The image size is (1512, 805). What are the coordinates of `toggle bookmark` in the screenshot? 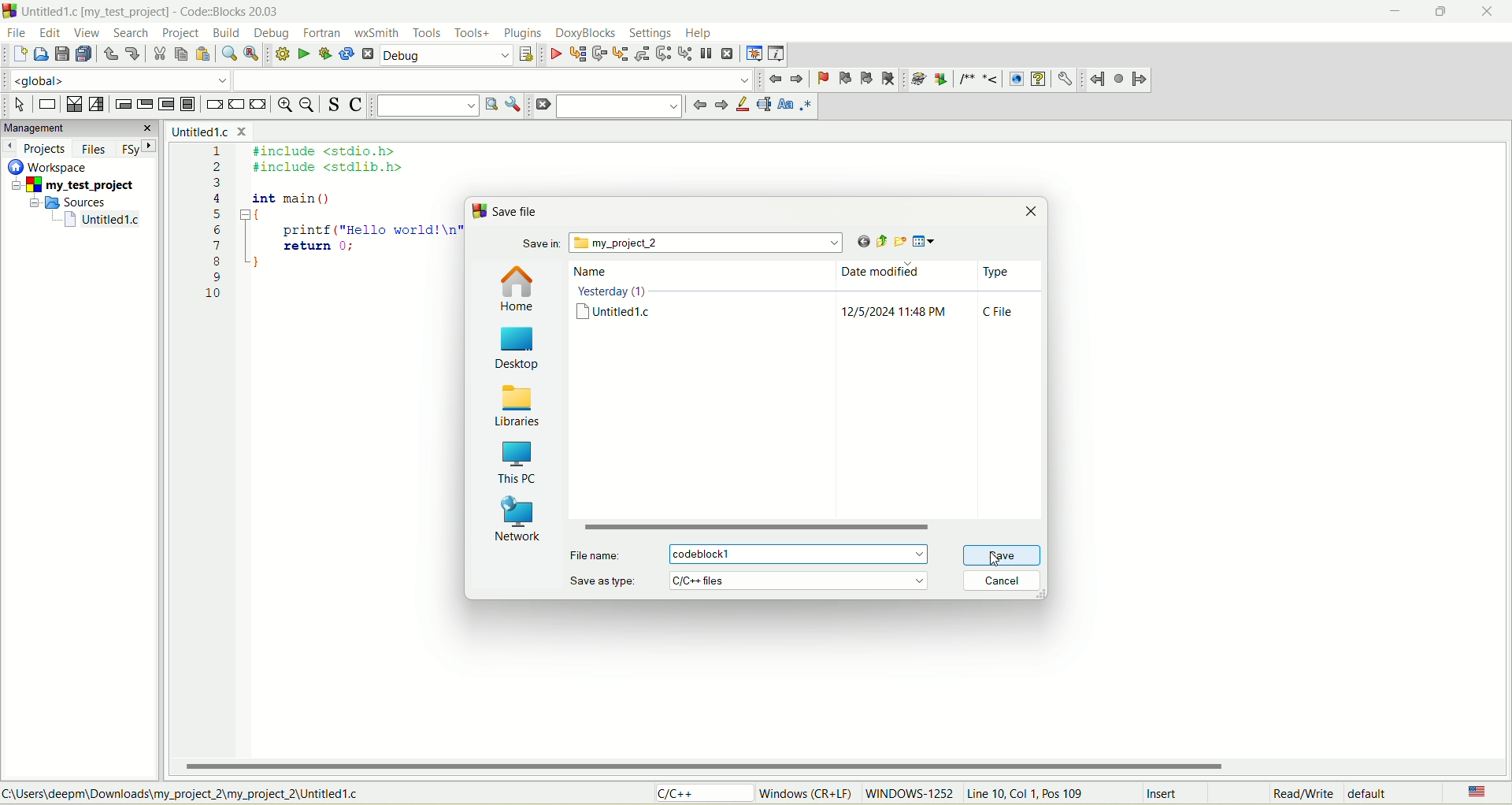 It's located at (821, 79).